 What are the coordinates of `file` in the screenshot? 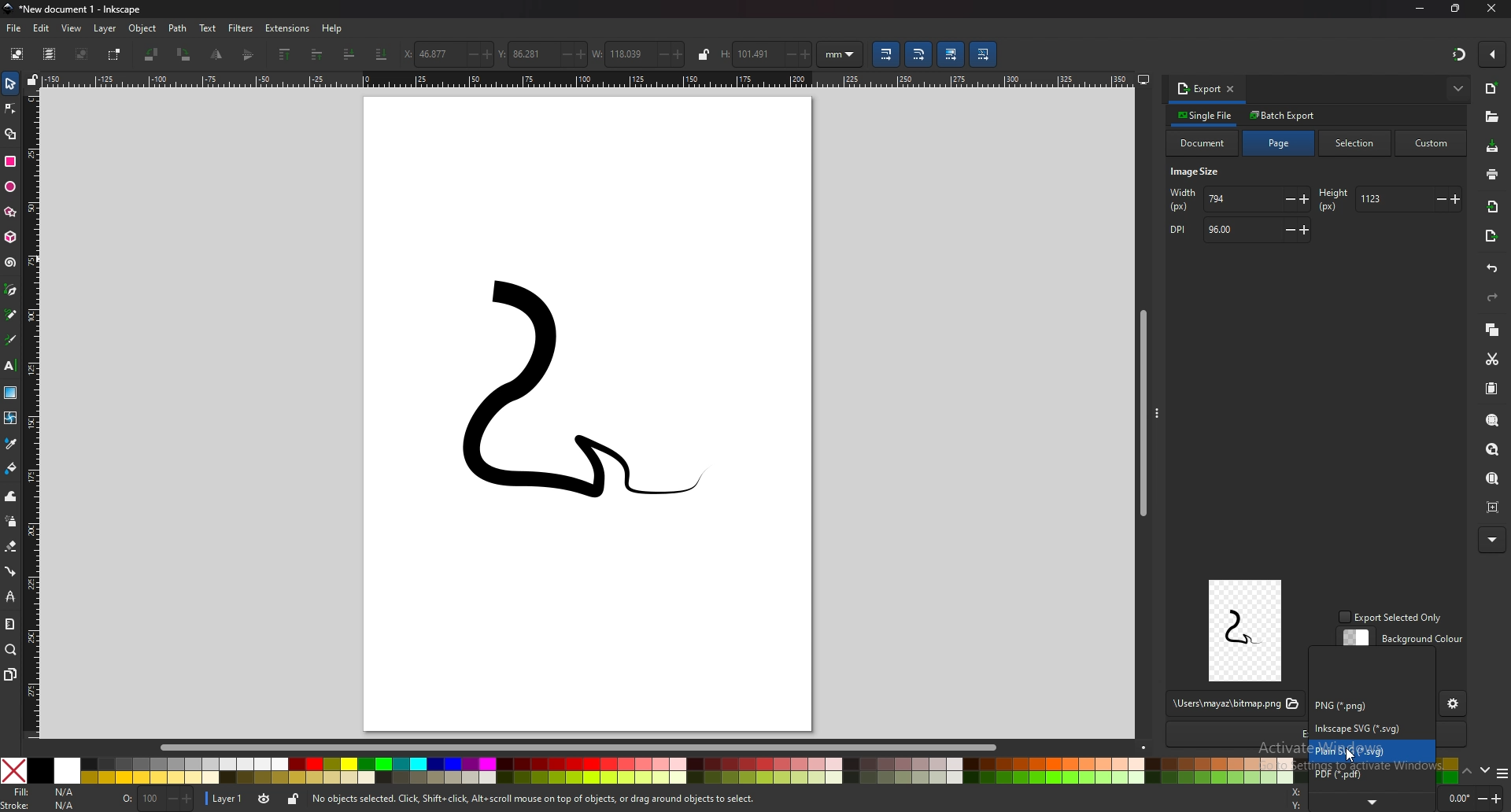 It's located at (15, 29).